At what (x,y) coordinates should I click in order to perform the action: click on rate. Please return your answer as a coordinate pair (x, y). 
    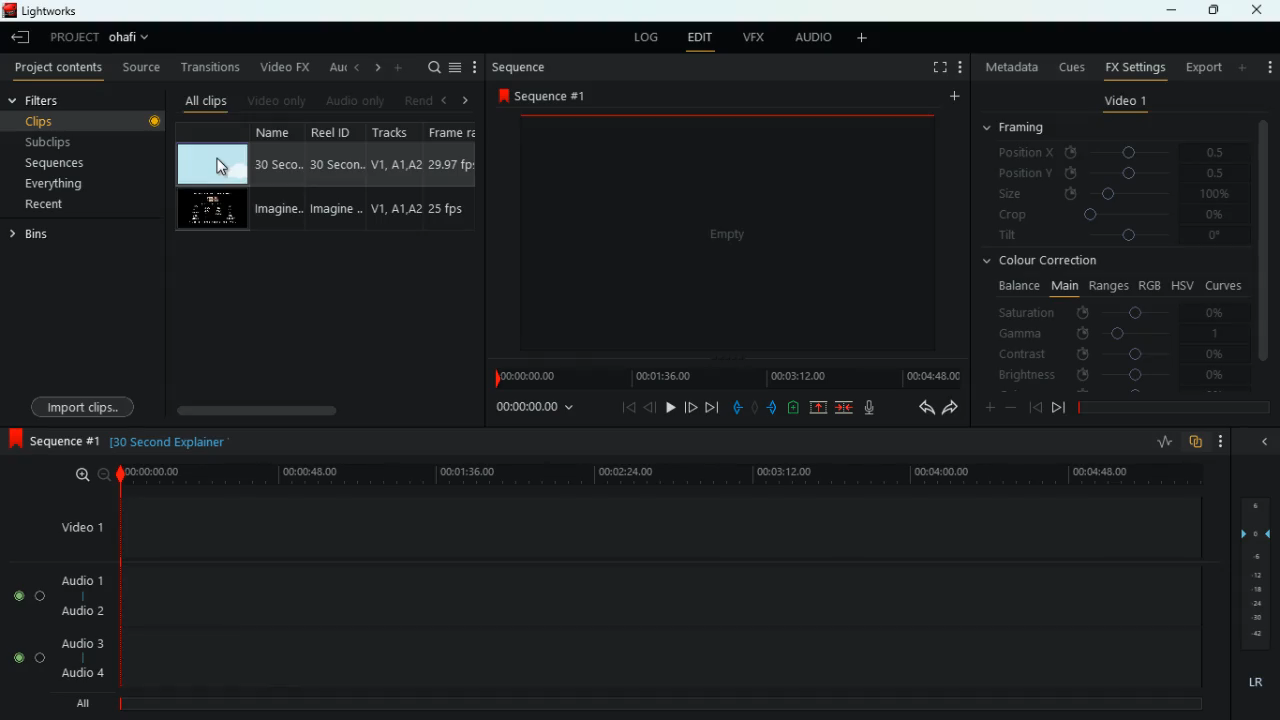
    Looking at the image, I should click on (1161, 442).